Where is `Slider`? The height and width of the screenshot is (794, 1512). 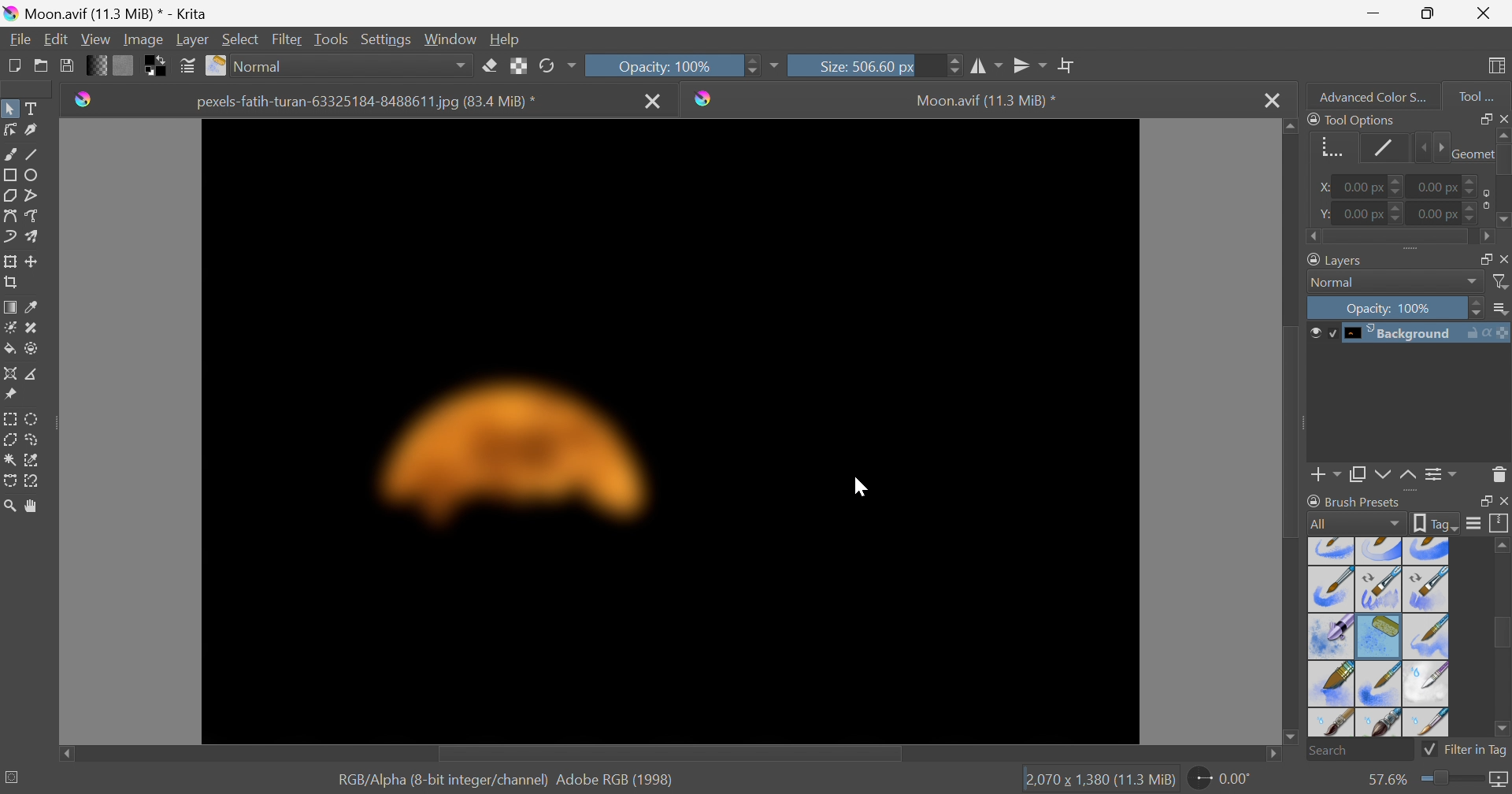
Slider is located at coordinates (1454, 781).